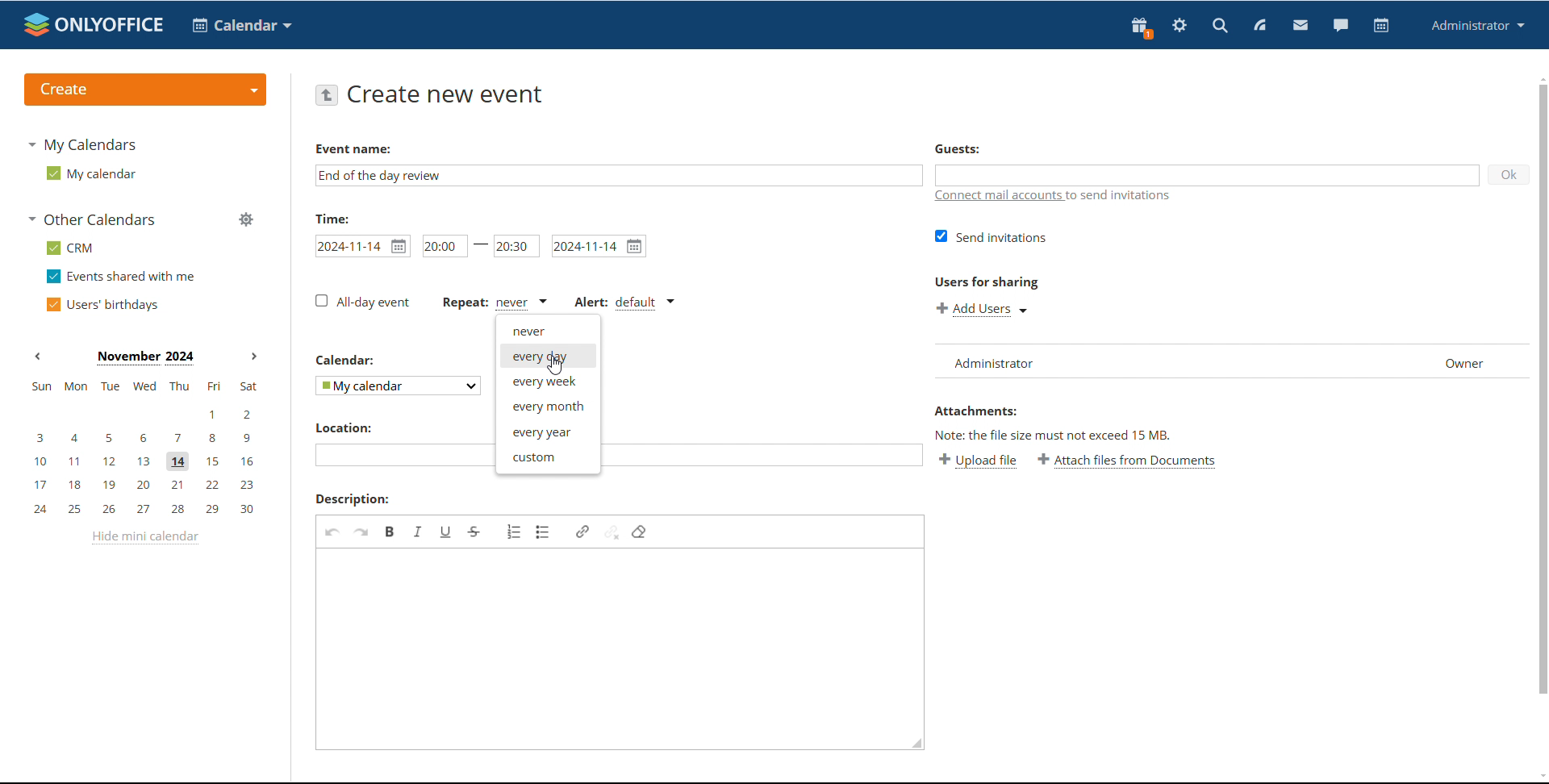 The width and height of the screenshot is (1549, 784). What do you see at coordinates (347, 360) in the screenshot?
I see `calendar` at bounding box center [347, 360].